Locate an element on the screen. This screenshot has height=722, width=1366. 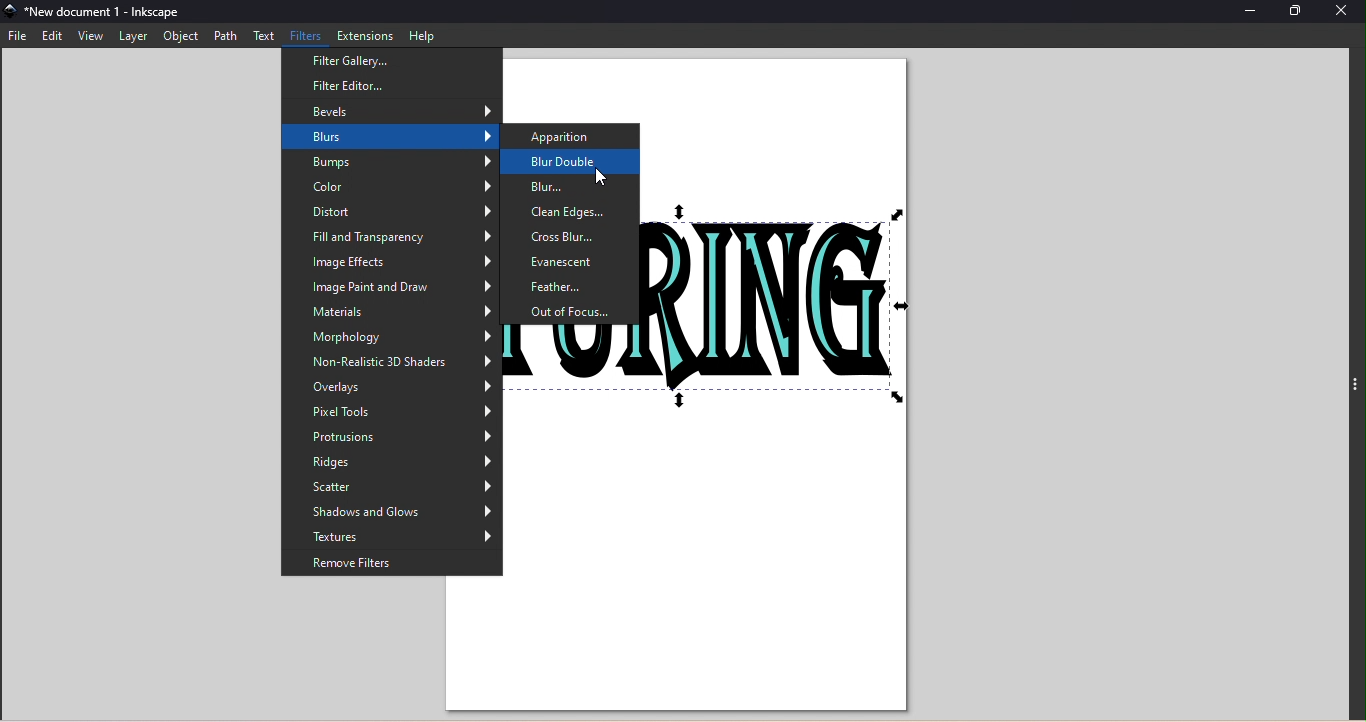
Filters is located at coordinates (307, 37).